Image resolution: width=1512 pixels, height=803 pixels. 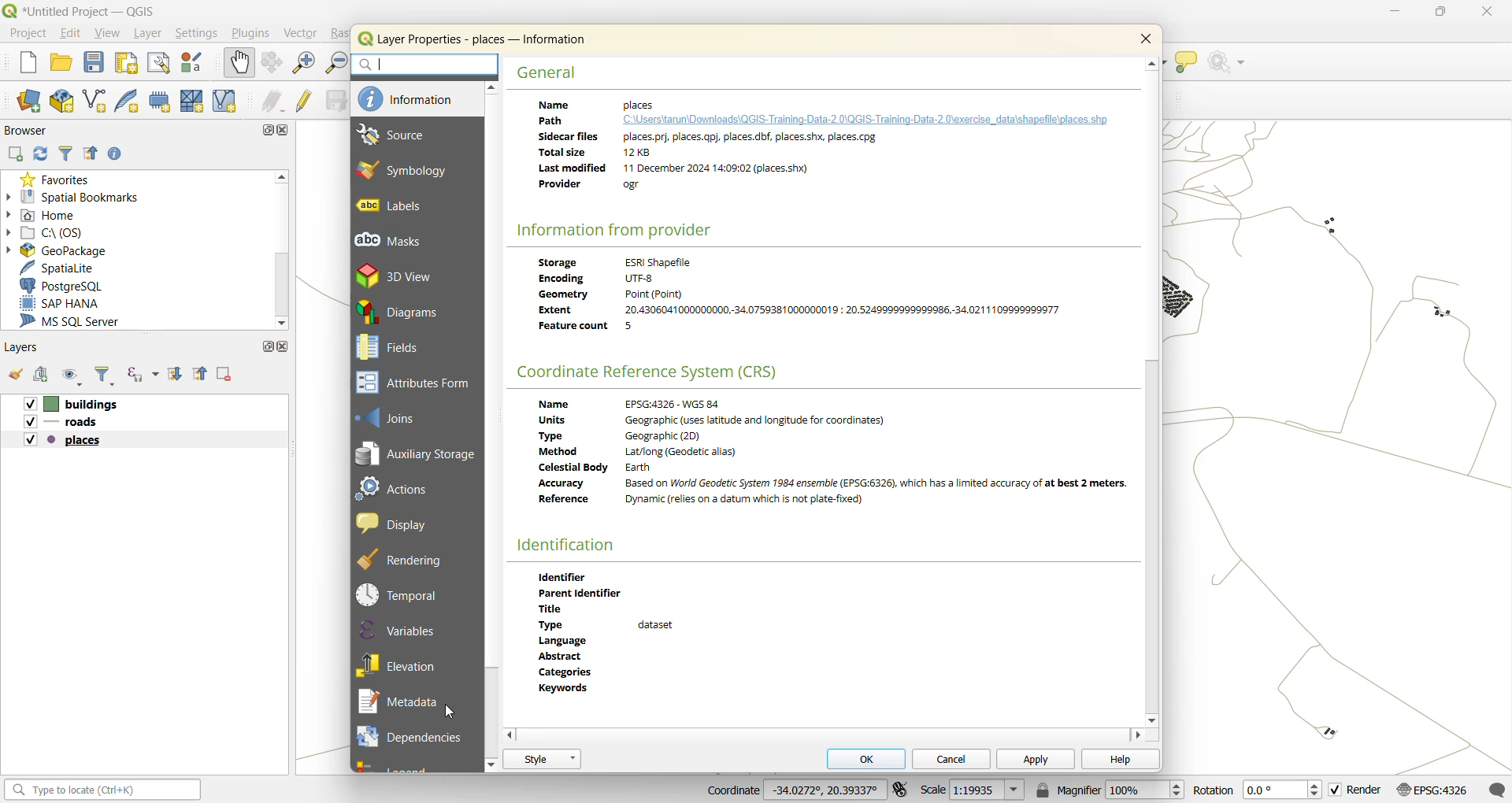 I want to click on filter, so click(x=69, y=152).